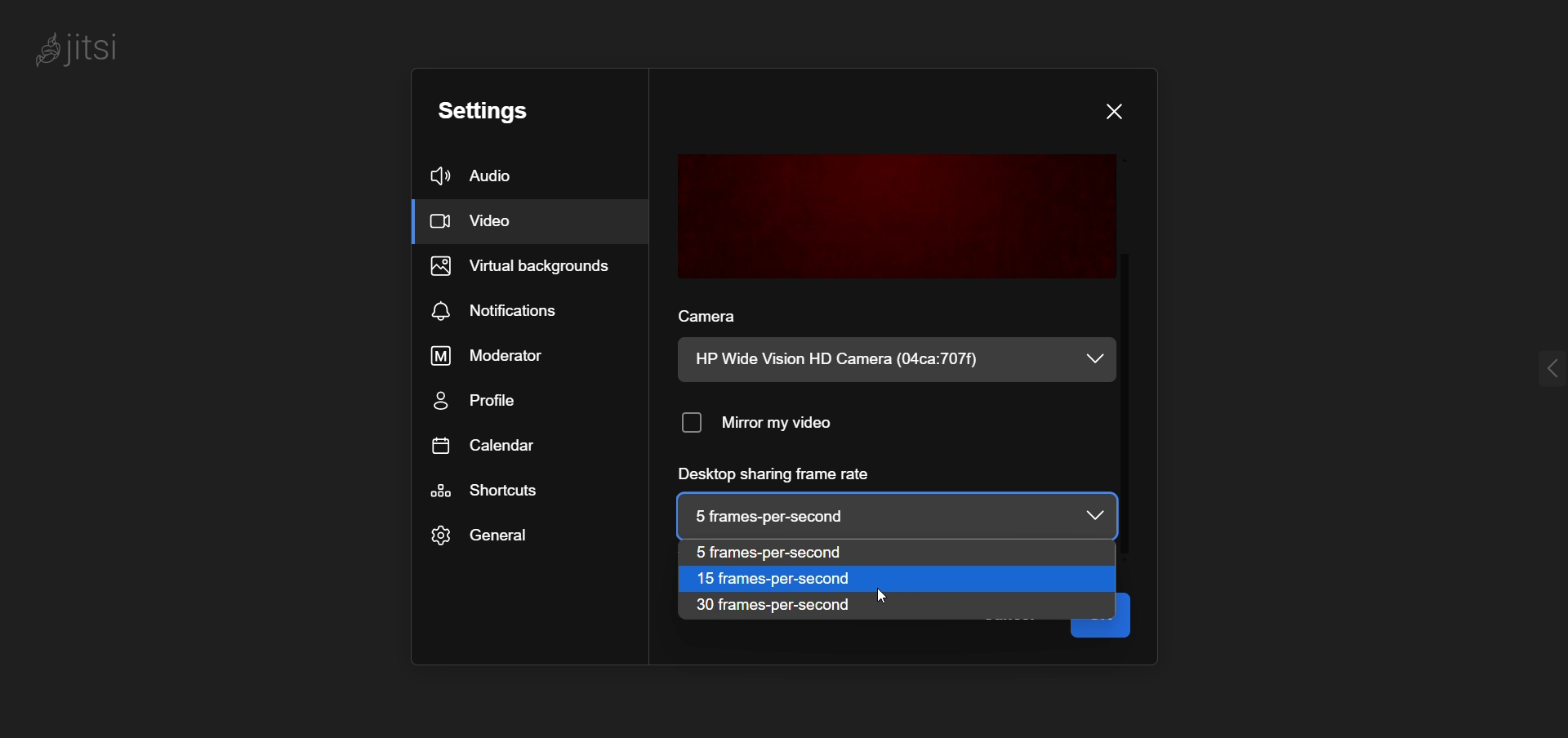 The image size is (1568, 738). Describe the element at coordinates (1094, 359) in the screenshot. I see `dropdown` at that location.